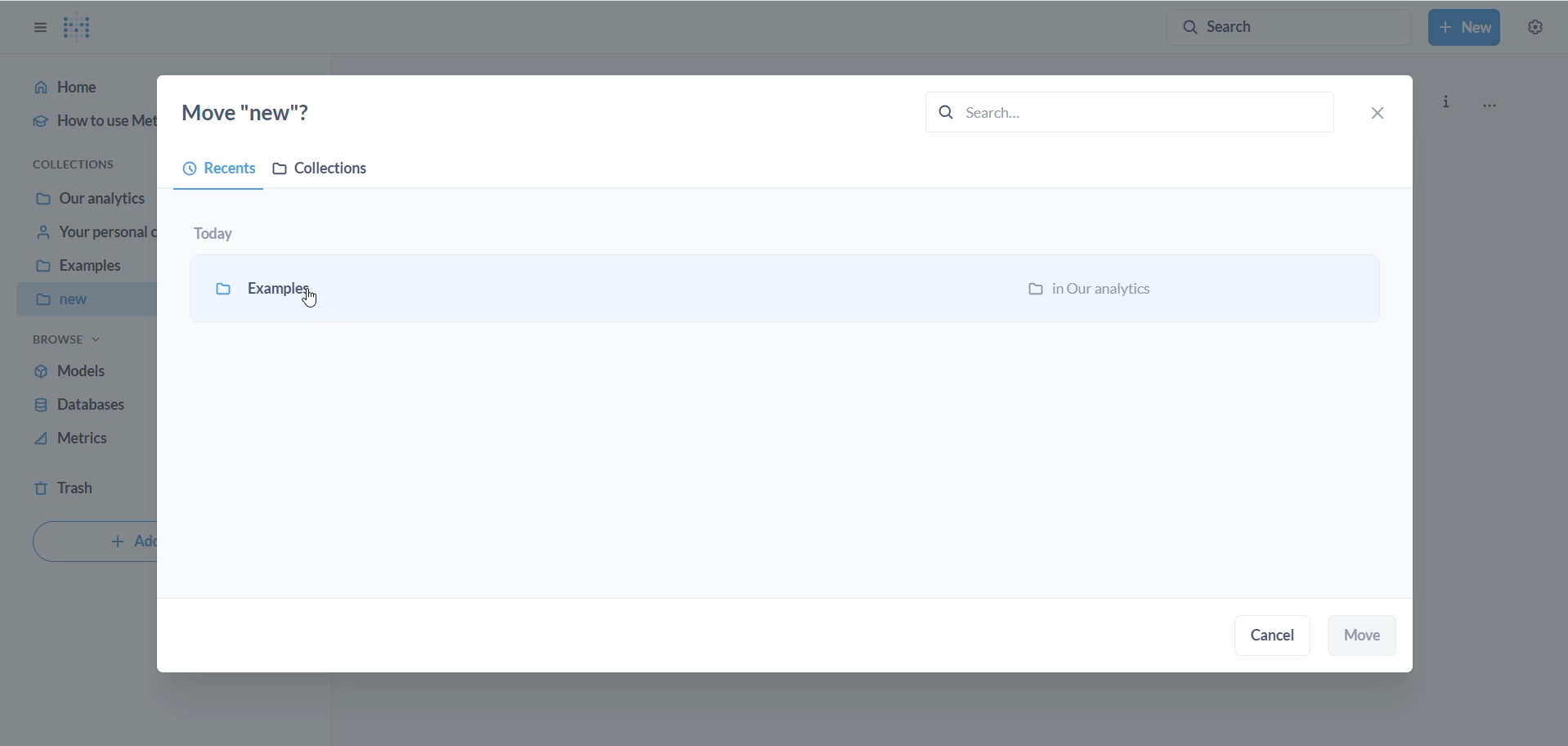  I want to click on databases, so click(84, 407).